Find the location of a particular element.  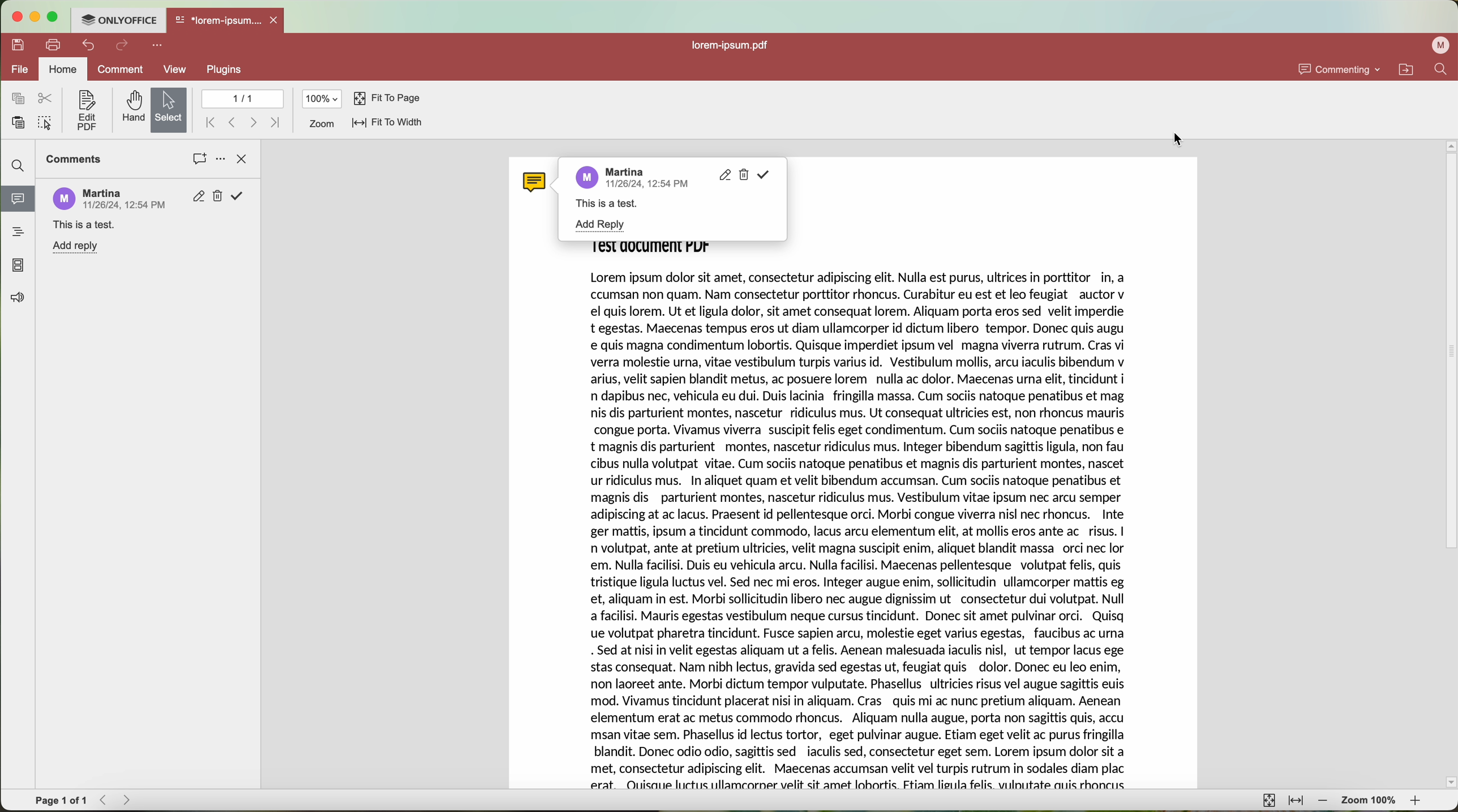

close side bar is located at coordinates (243, 159).